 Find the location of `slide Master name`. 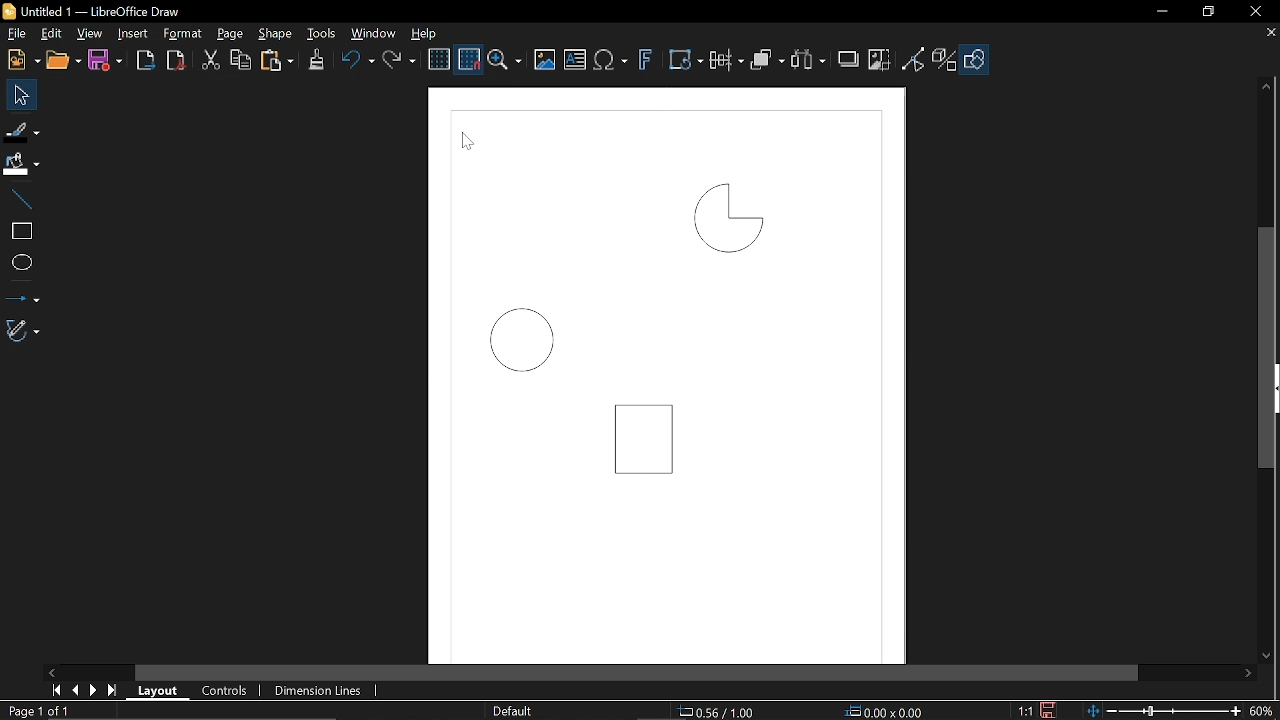

slide Master name is located at coordinates (514, 710).